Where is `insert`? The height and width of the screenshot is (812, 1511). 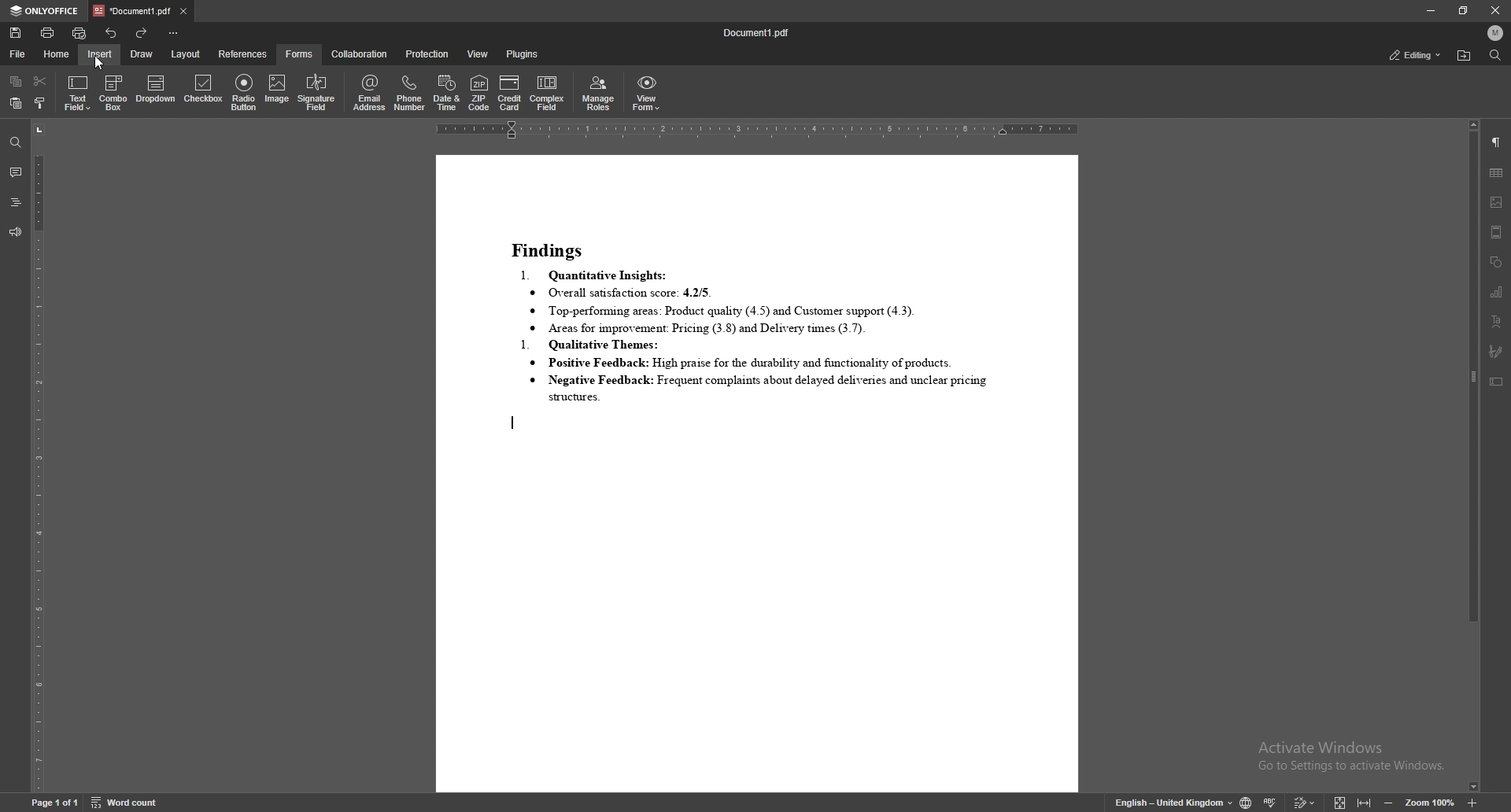 insert is located at coordinates (98, 54).